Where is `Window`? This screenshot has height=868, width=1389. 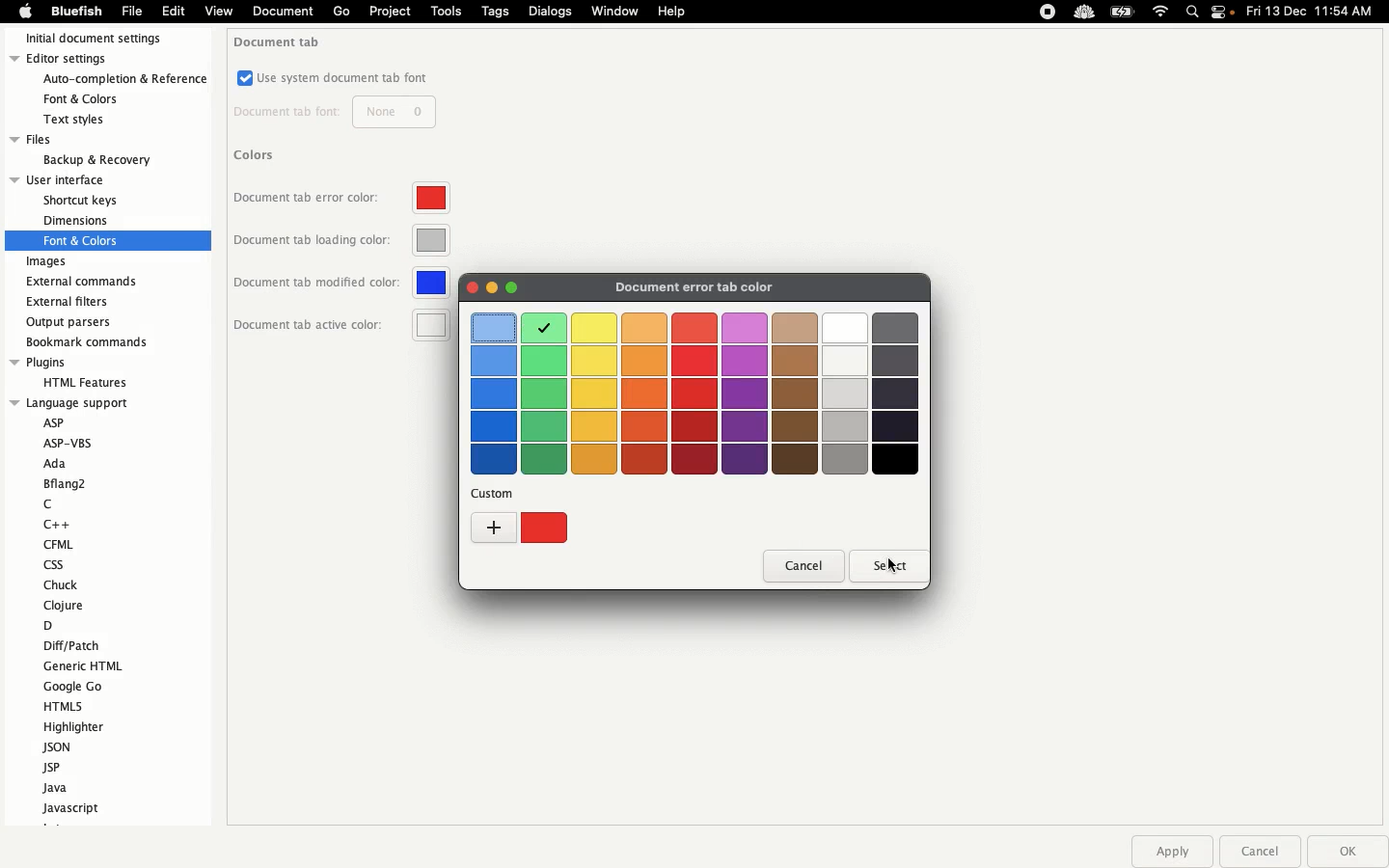 Window is located at coordinates (616, 13).